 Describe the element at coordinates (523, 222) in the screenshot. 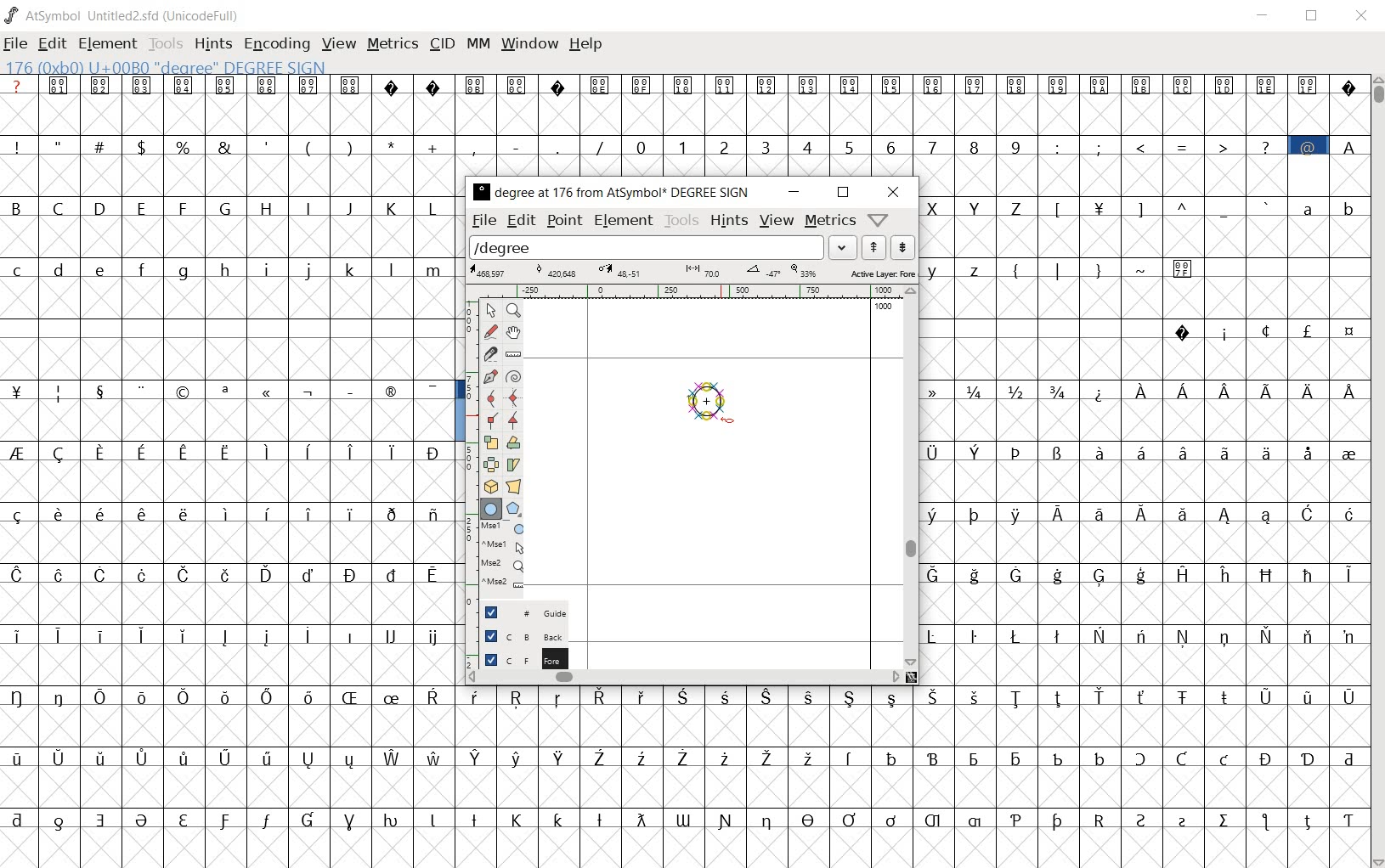

I see `edit` at that location.